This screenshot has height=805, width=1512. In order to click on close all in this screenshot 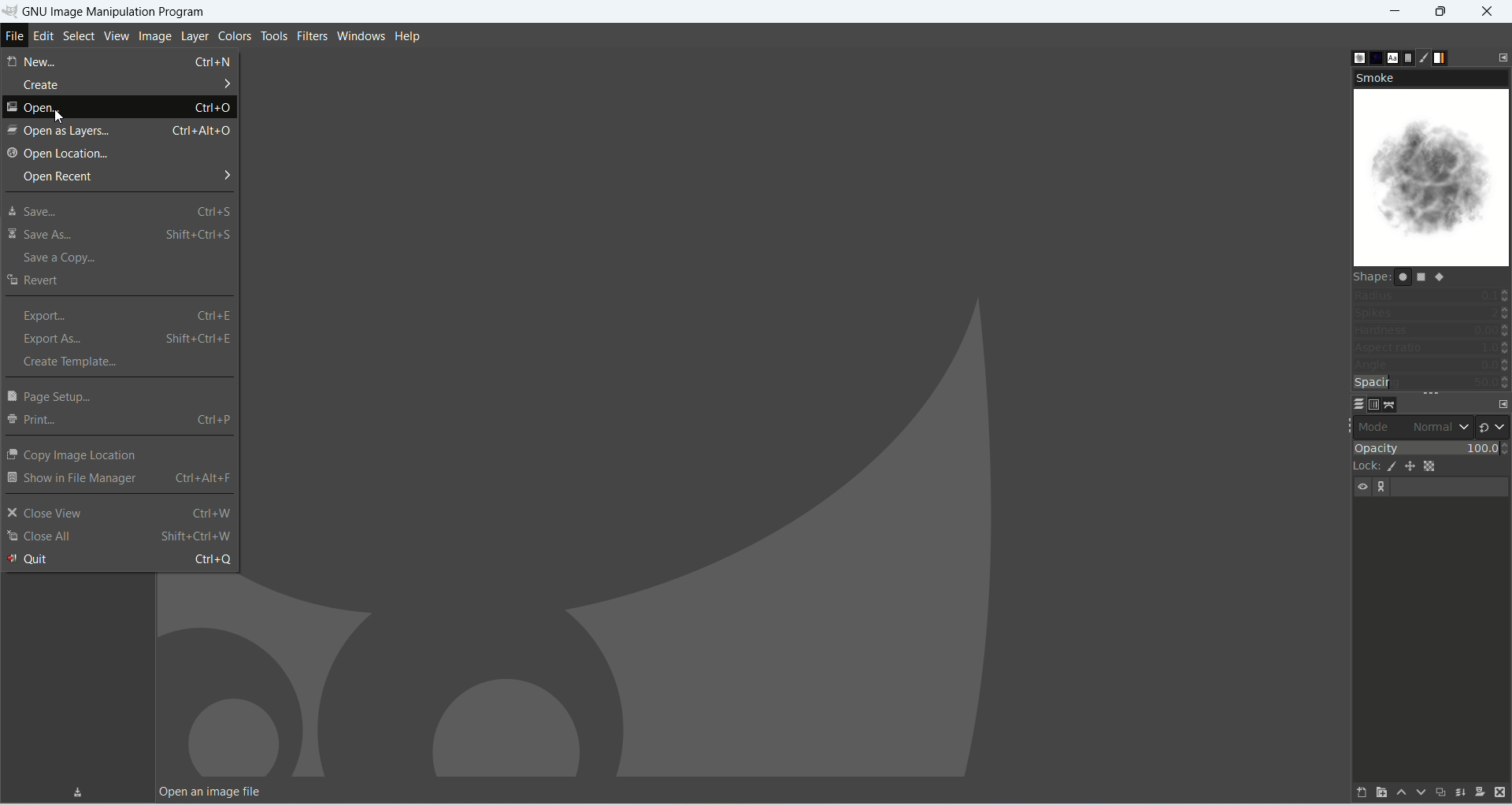, I will do `click(119, 537)`.